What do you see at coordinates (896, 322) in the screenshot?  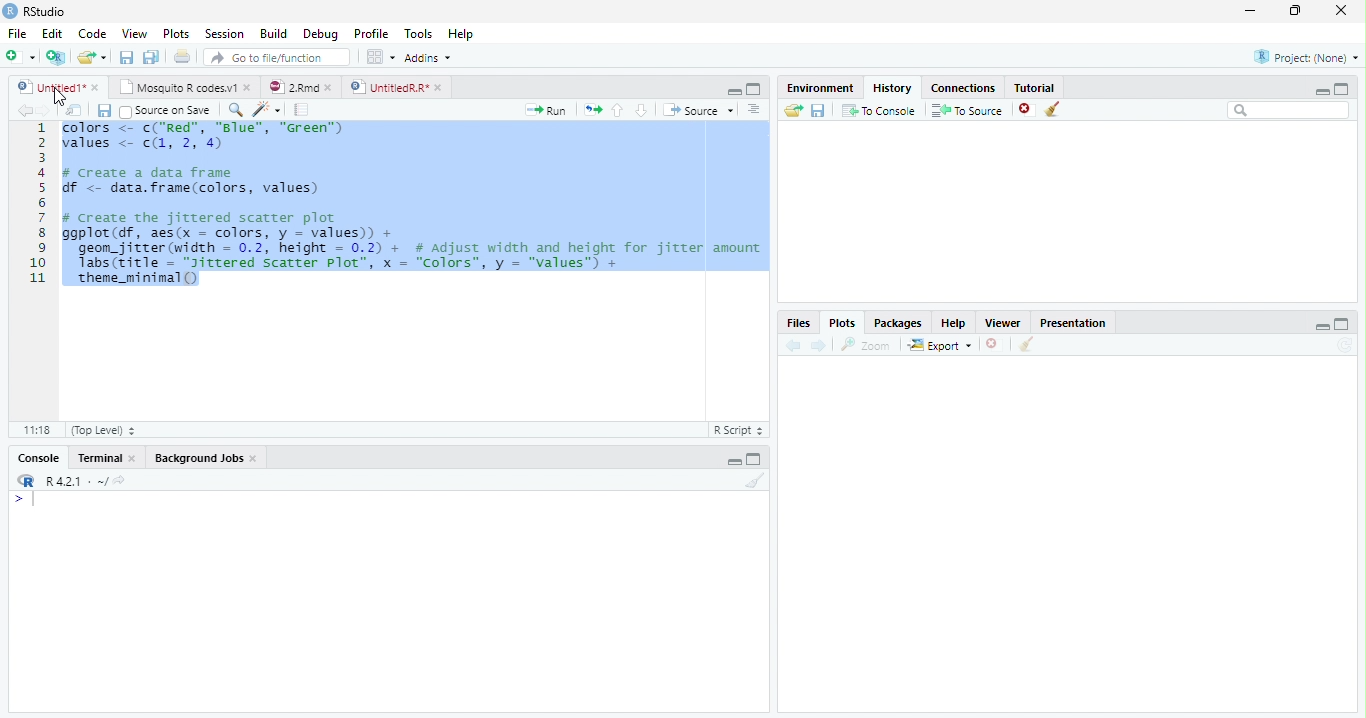 I see `Packages` at bounding box center [896, 322].